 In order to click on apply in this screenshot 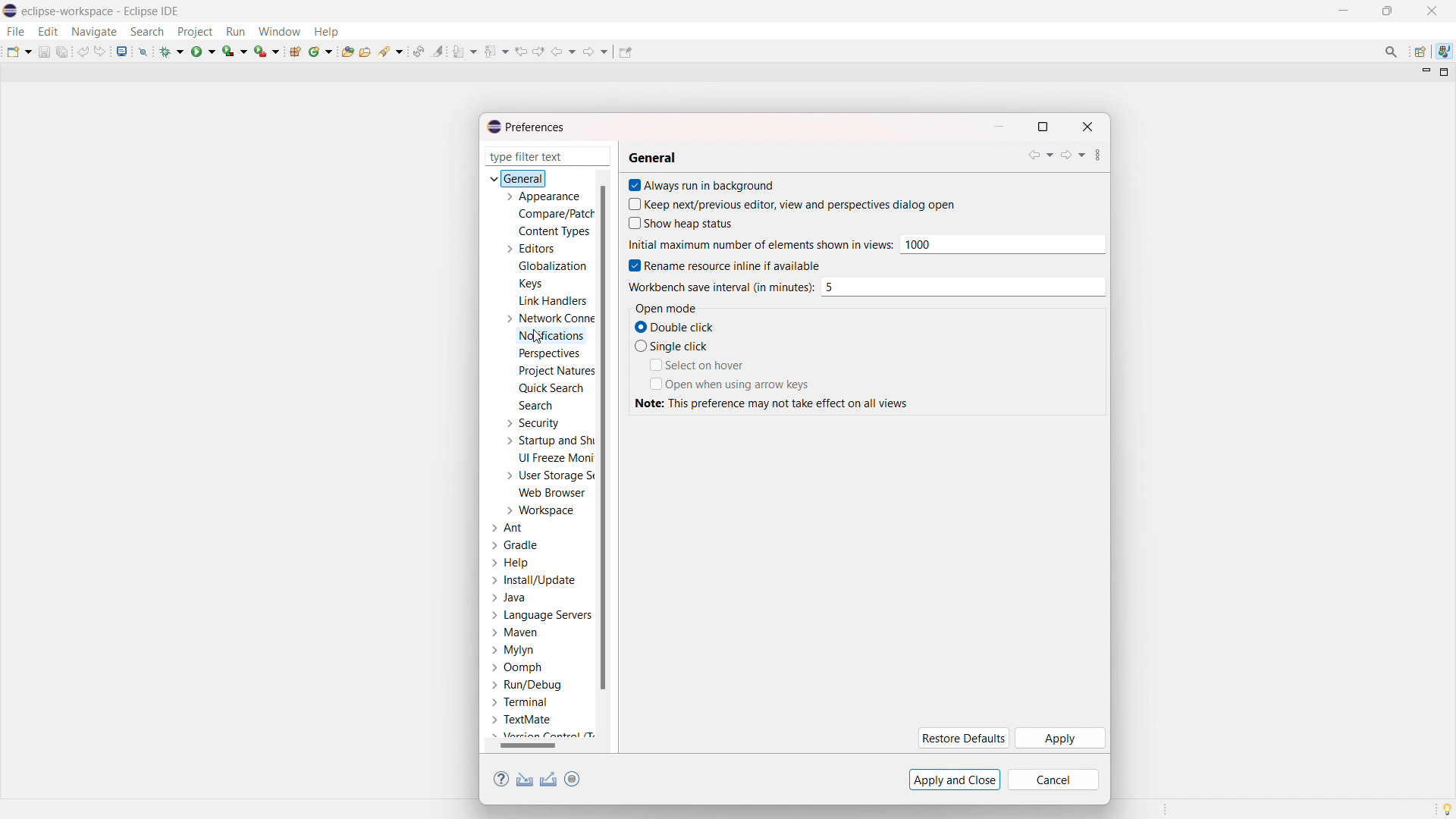, I will do `click(1059, 739)`.